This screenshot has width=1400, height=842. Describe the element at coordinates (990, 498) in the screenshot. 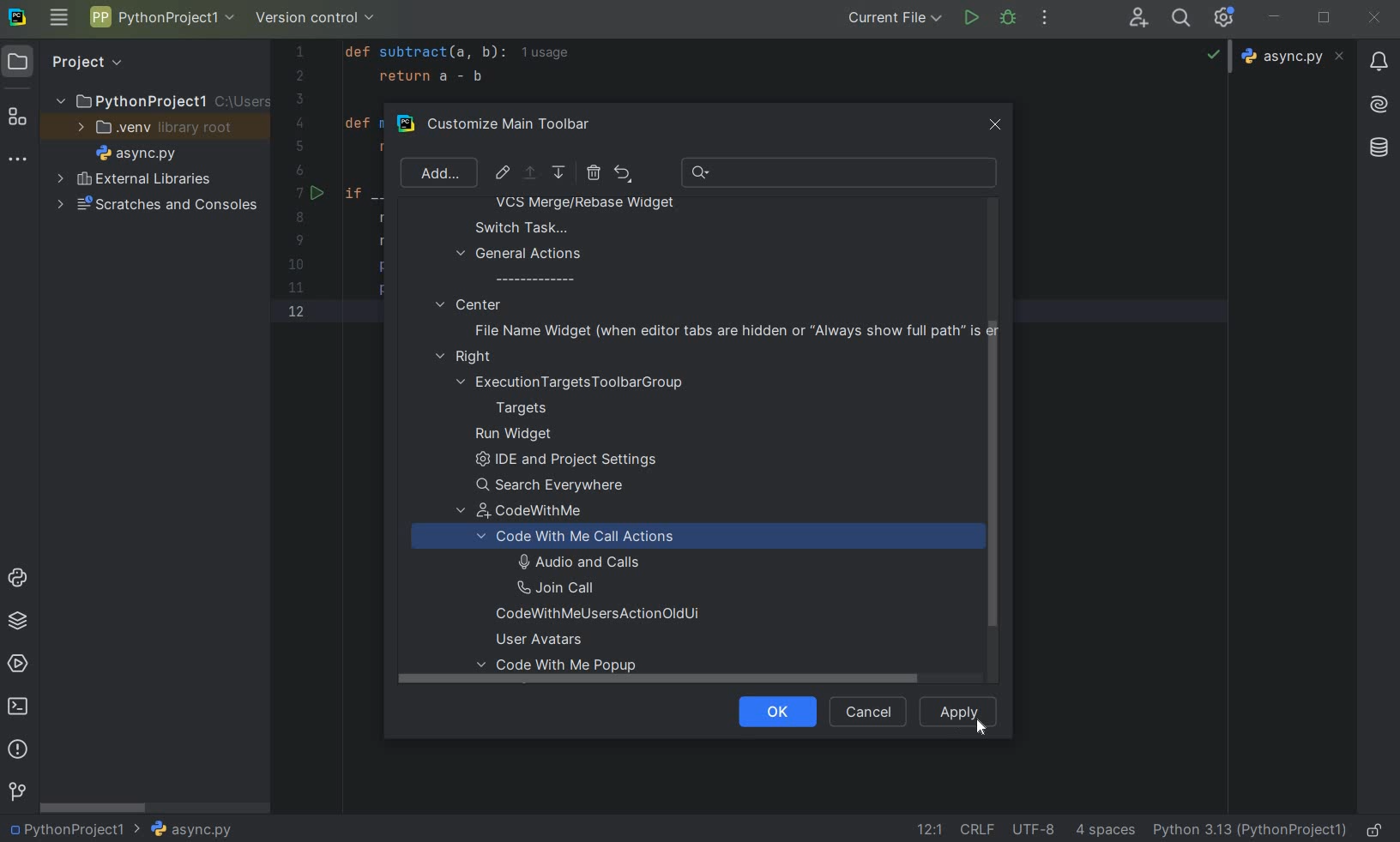

I see `scrollbar` at that location.